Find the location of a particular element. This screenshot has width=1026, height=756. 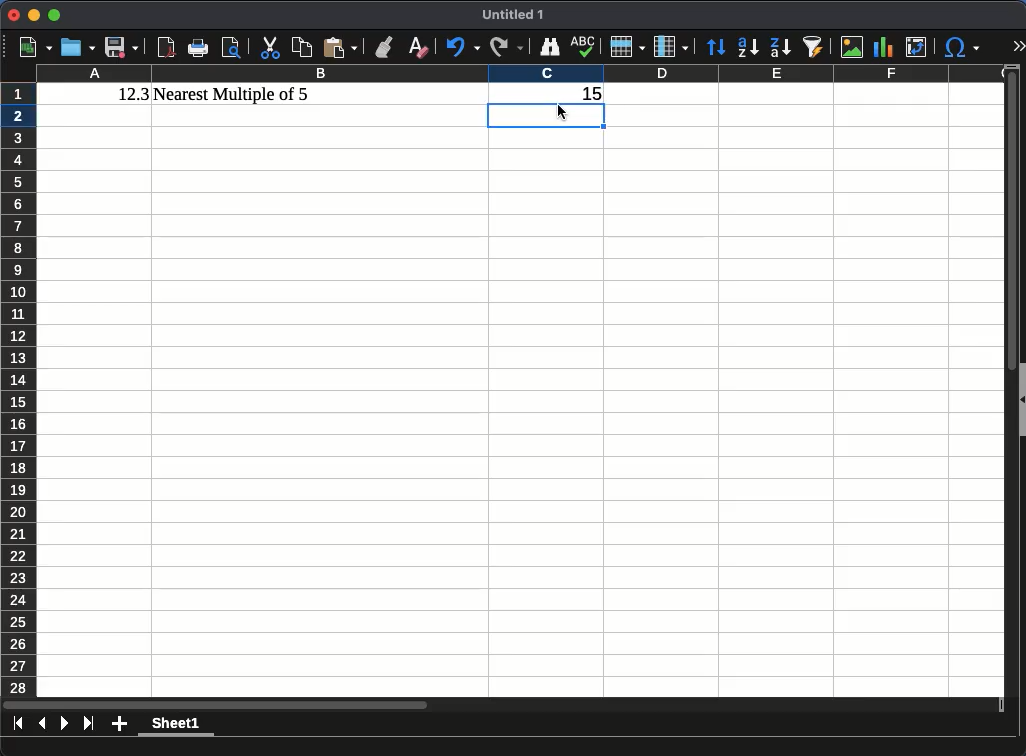

image is located at coordinates (850, 47).